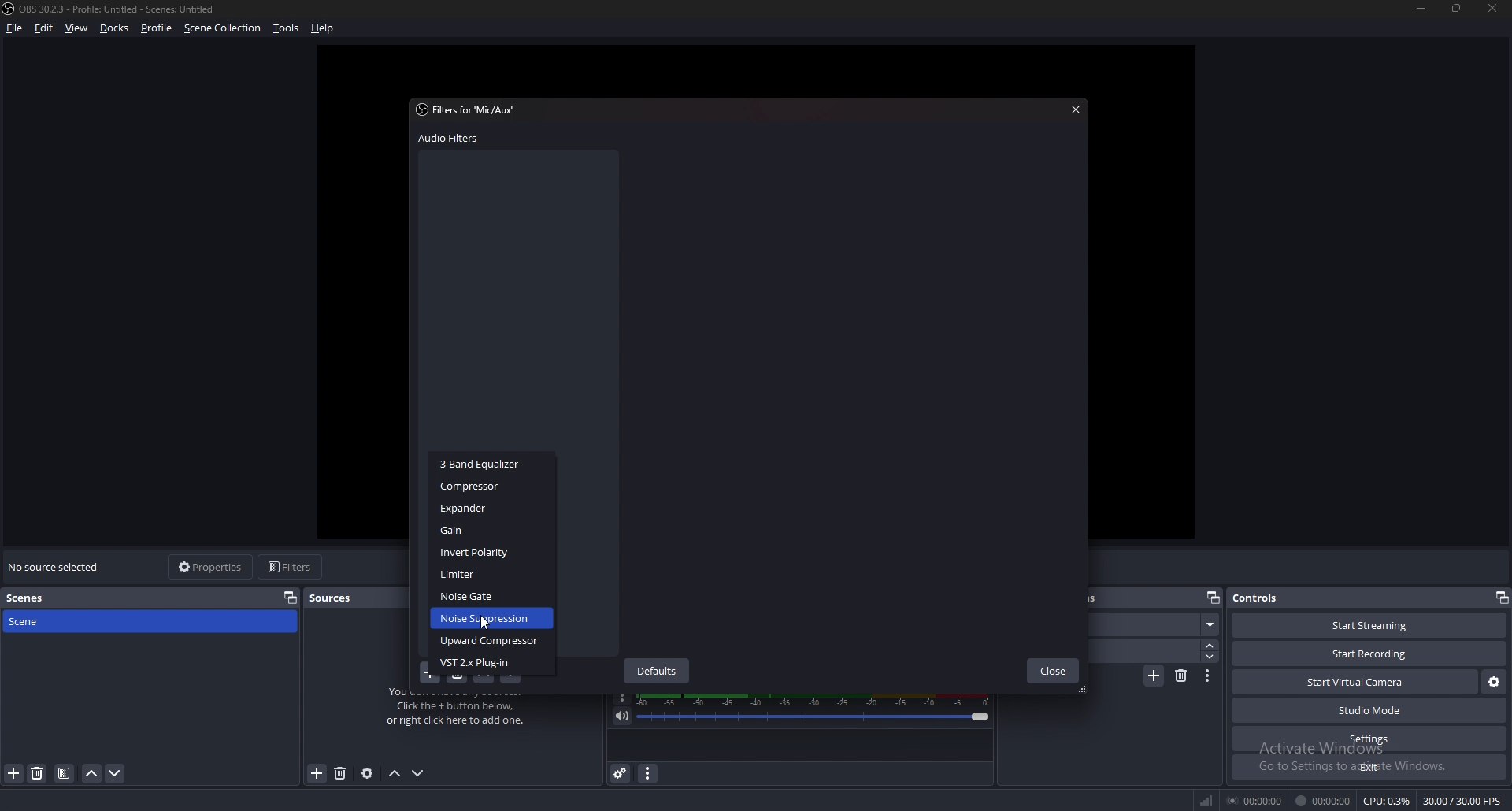  What do you see at coordinates (65, 773) in the screenshot?
I see `filter` at bounding box center [65, 773].